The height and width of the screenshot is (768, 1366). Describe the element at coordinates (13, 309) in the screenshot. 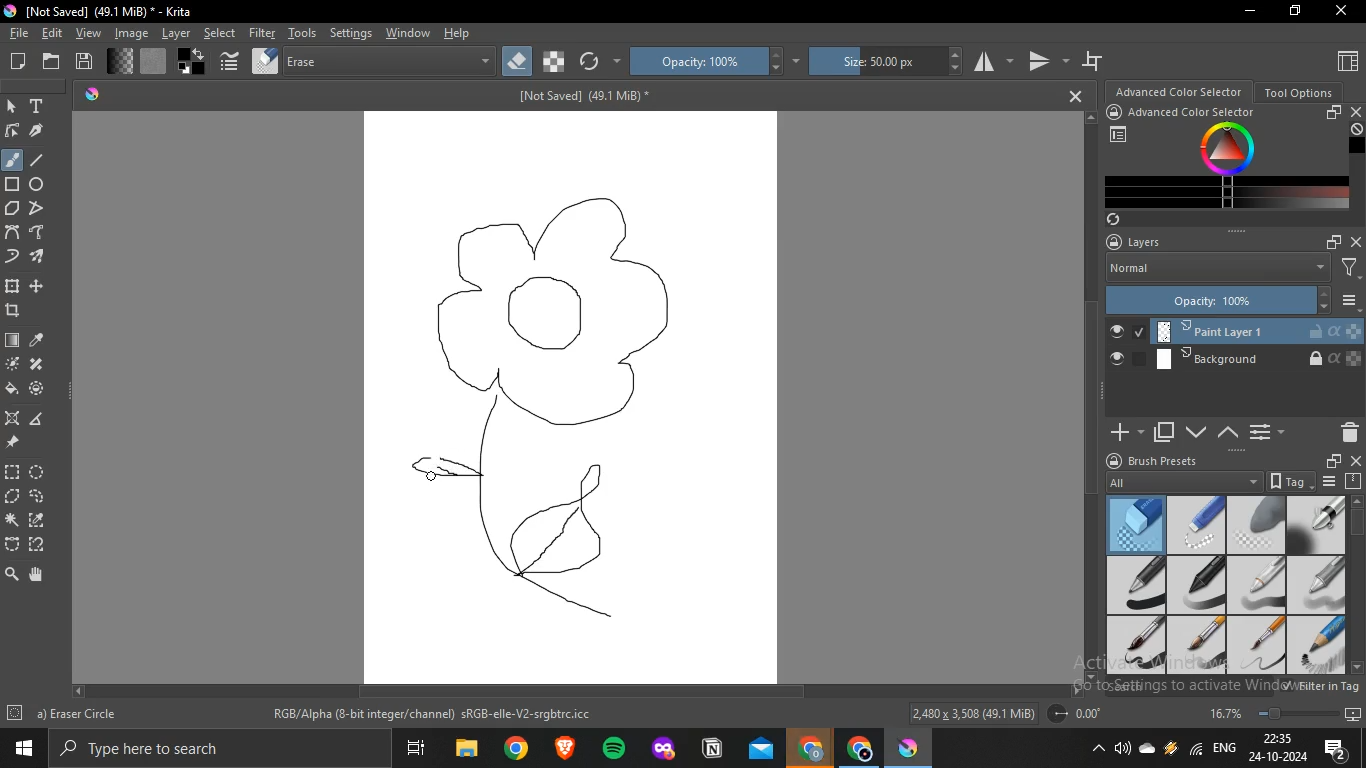

I see `crop image` at that location.